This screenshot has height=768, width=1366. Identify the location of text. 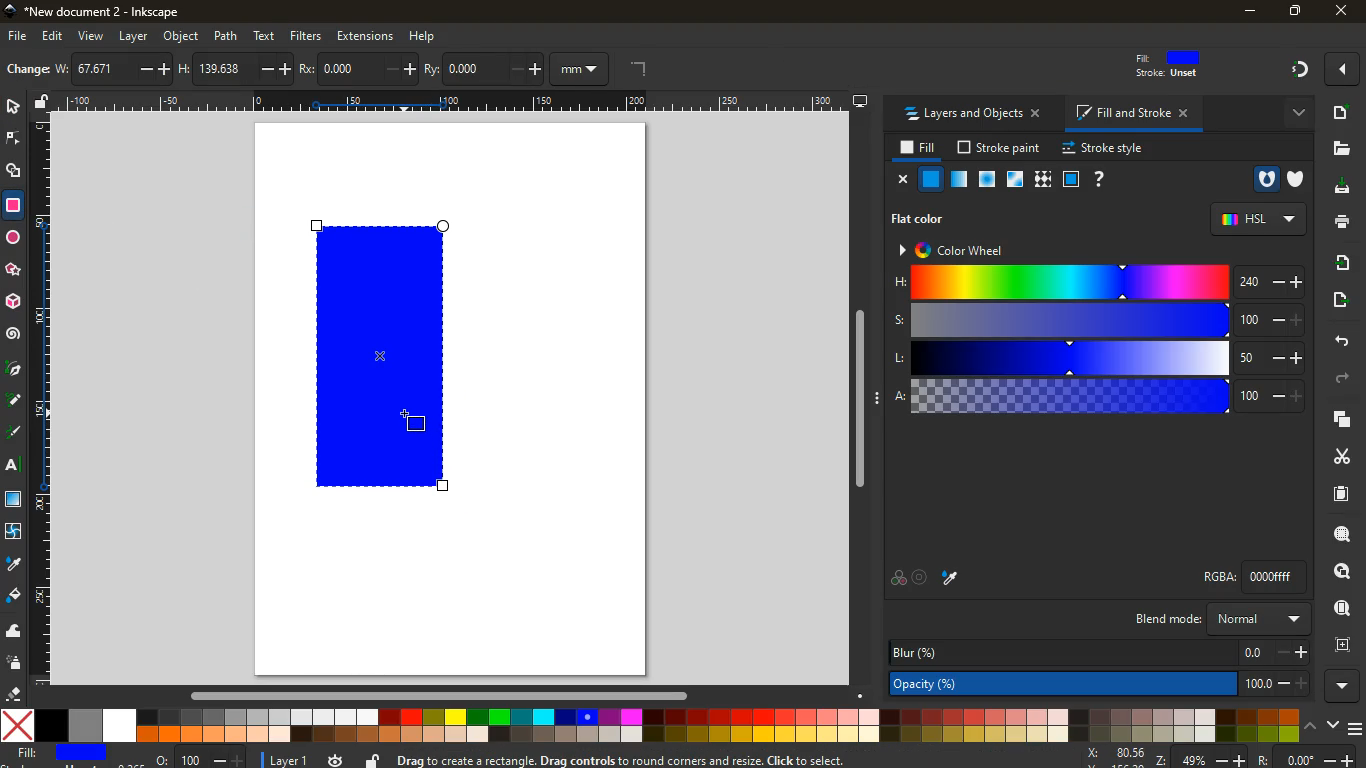
(265, 36).